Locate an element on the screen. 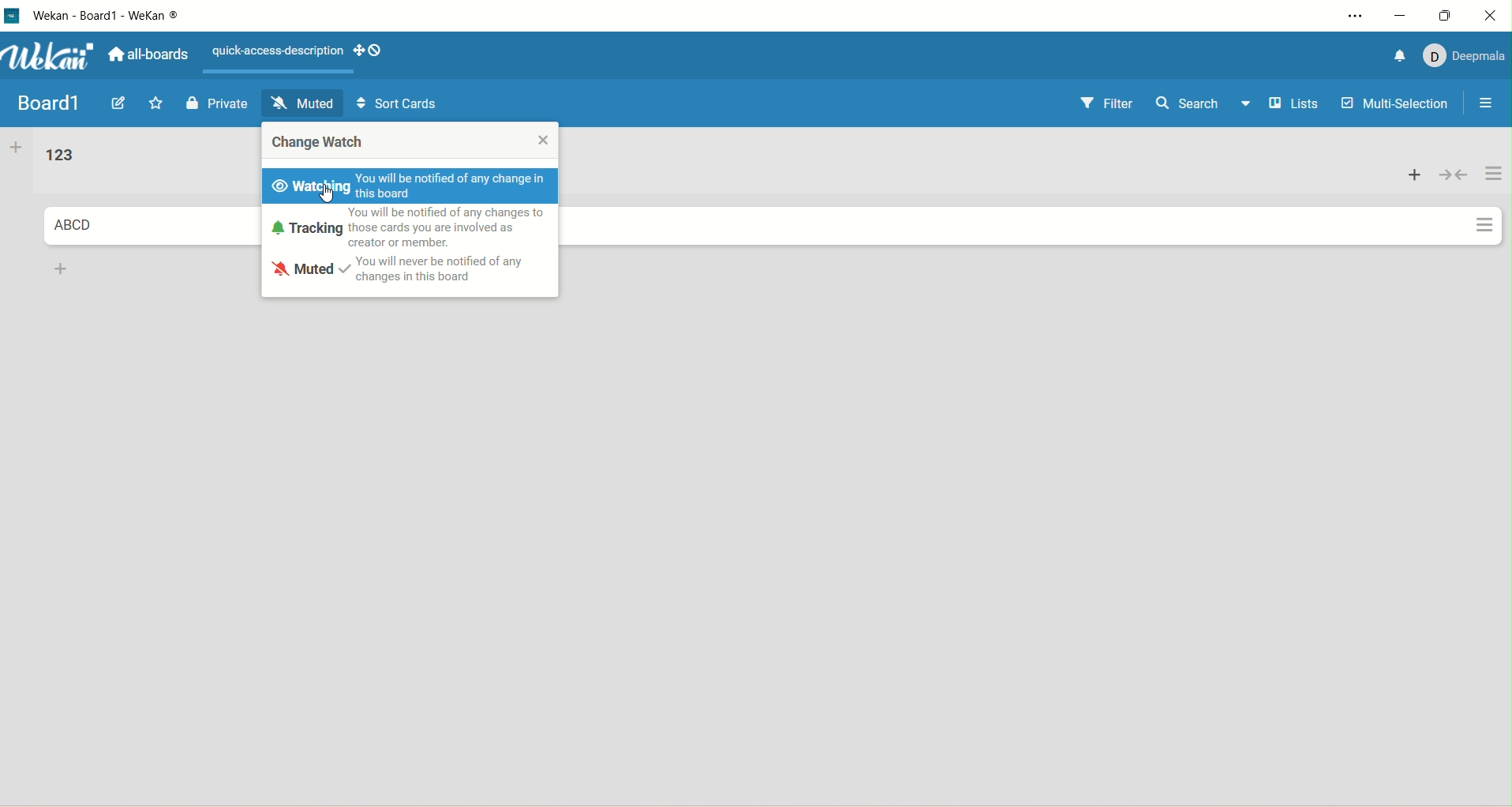  close is located at coordinates (1495, 13).